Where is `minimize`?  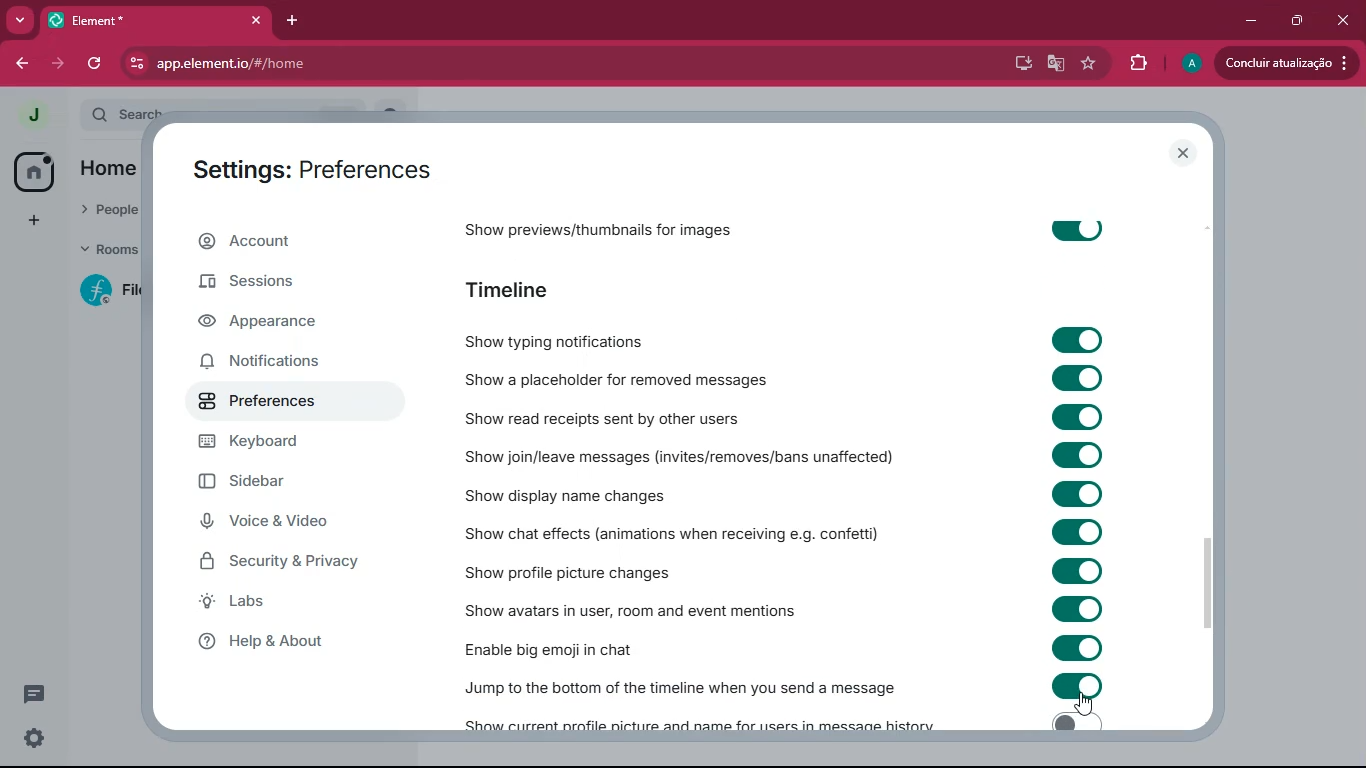 minimize is located at coordinates (1252, 18).